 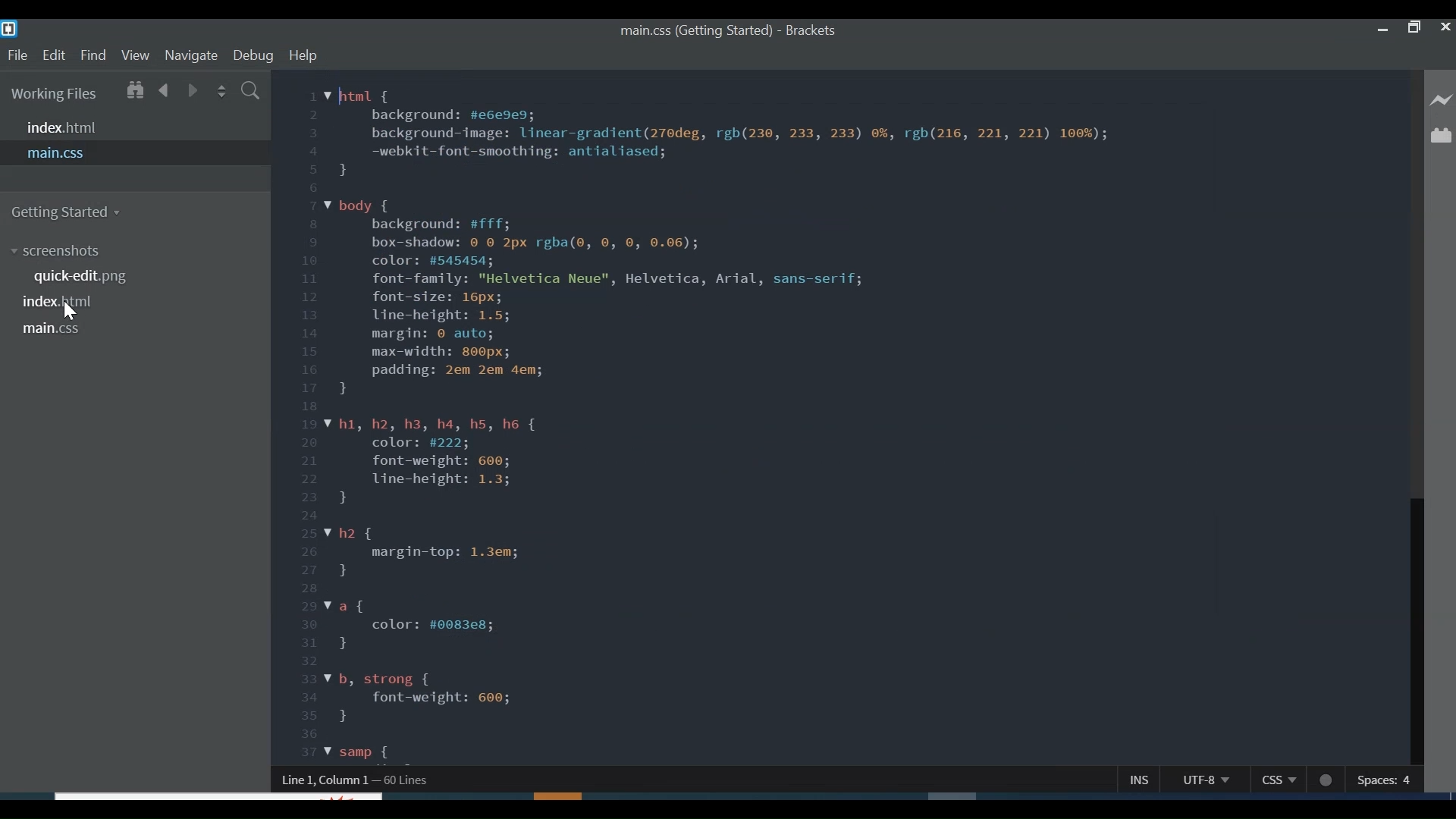 I want to click on Debug, so click(x=253, y=55).